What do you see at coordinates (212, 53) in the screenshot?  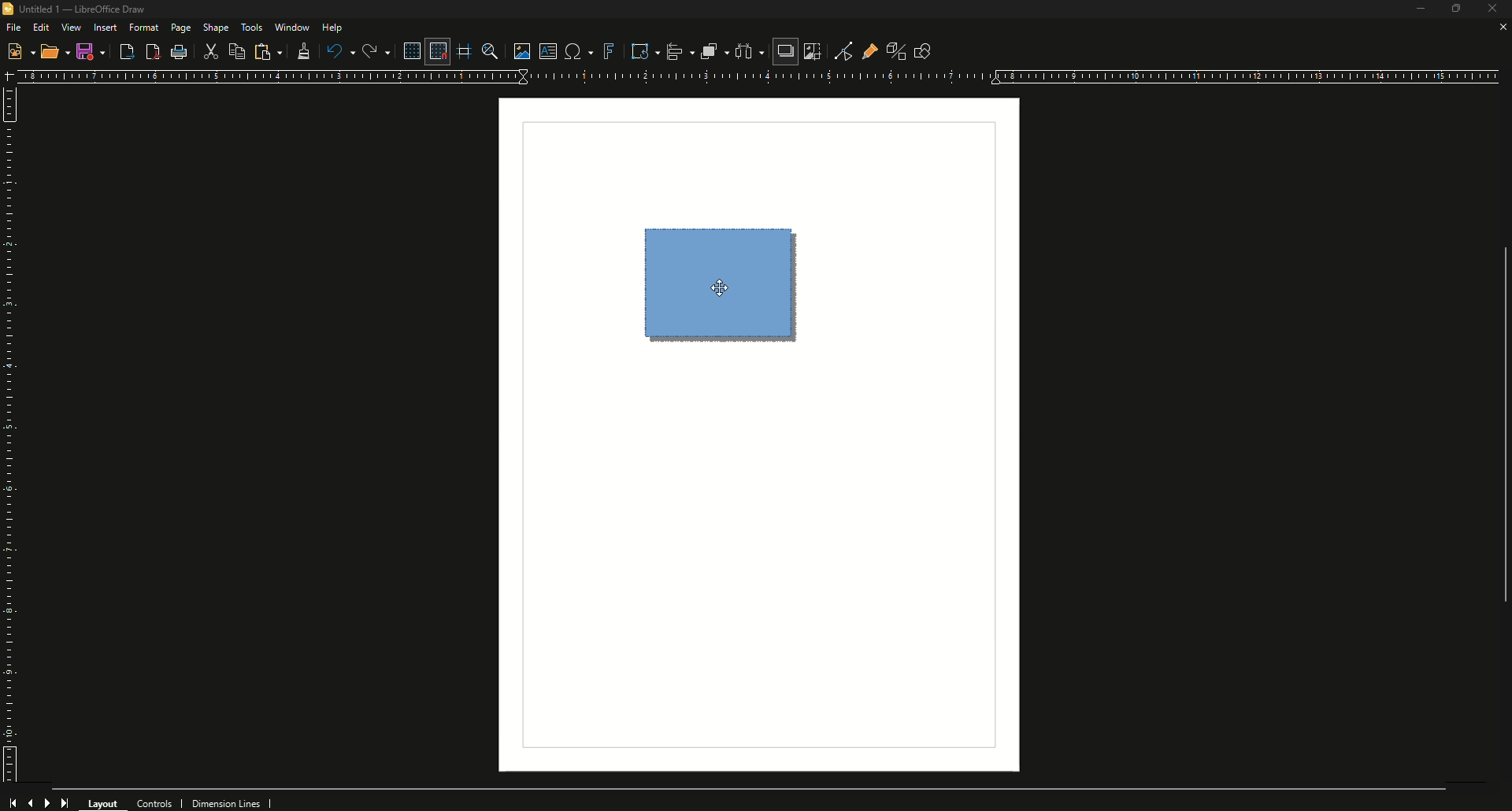 I see `Cut` at bounding box center [212, 53].